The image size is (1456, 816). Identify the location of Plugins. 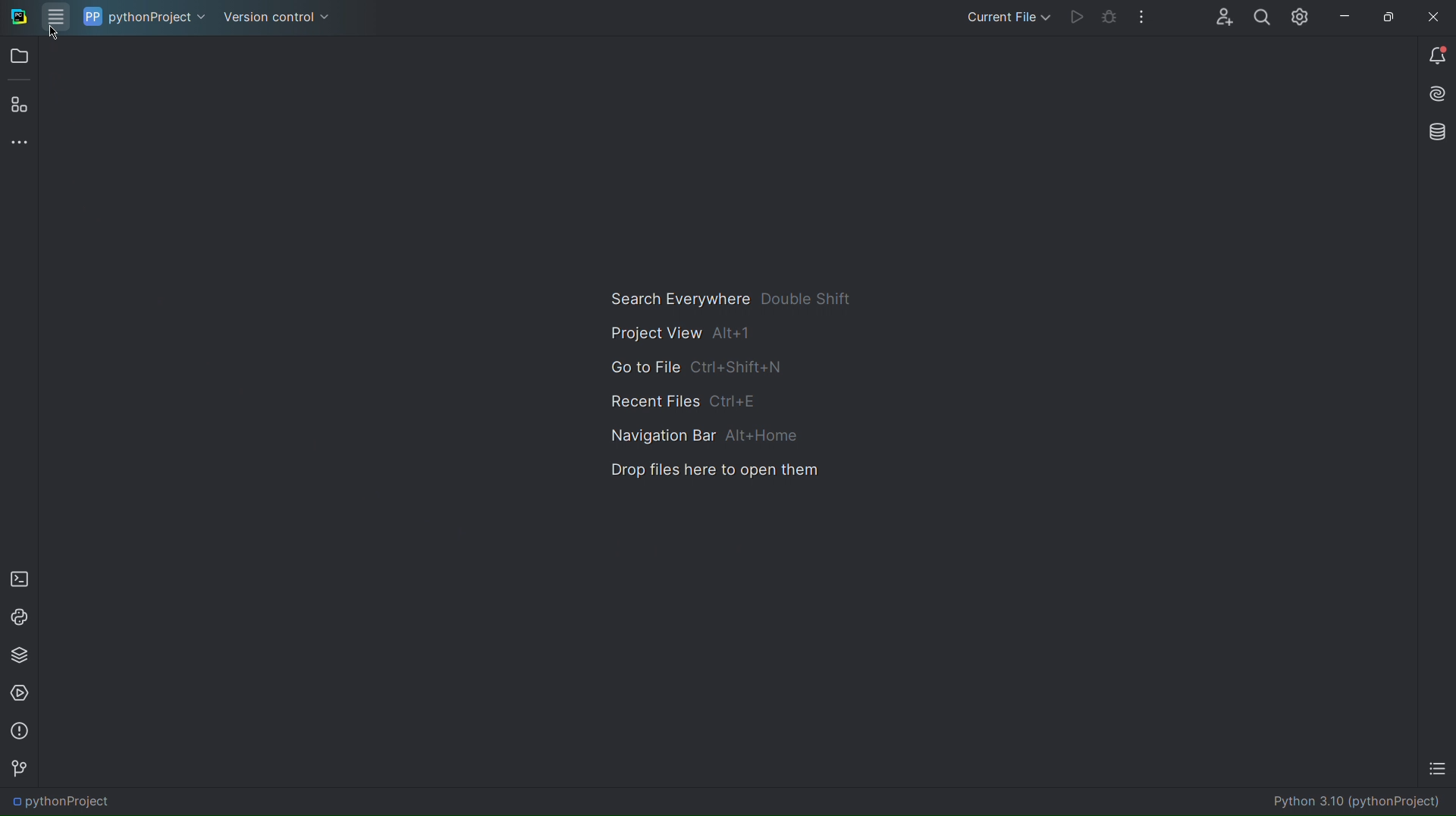
(19, 107).